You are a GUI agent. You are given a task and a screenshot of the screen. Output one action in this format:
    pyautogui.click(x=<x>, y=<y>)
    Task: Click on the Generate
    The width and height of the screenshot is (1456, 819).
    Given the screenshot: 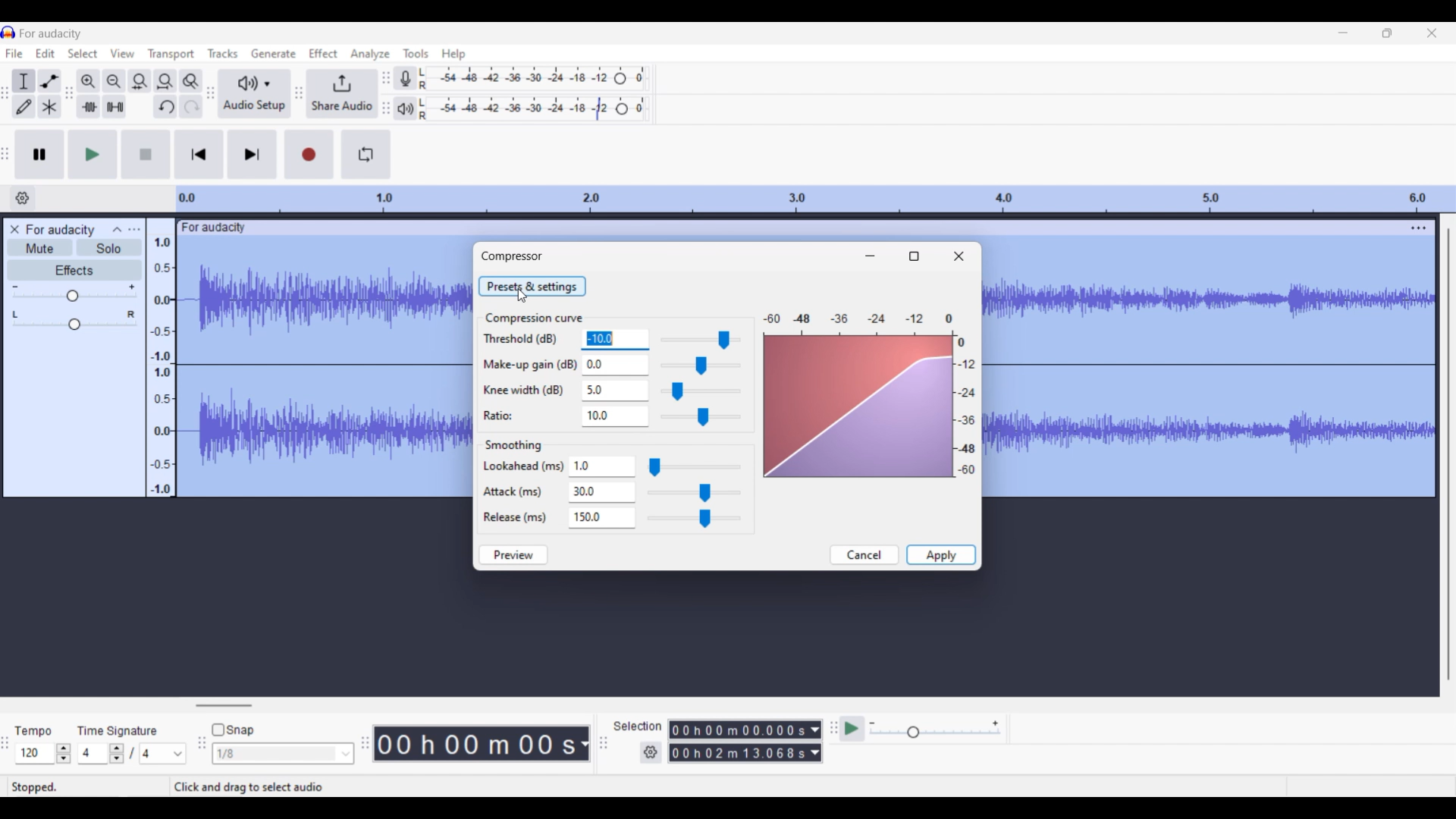 What is the action you would take?
    pyautogui.click(x=273, y=52)
    